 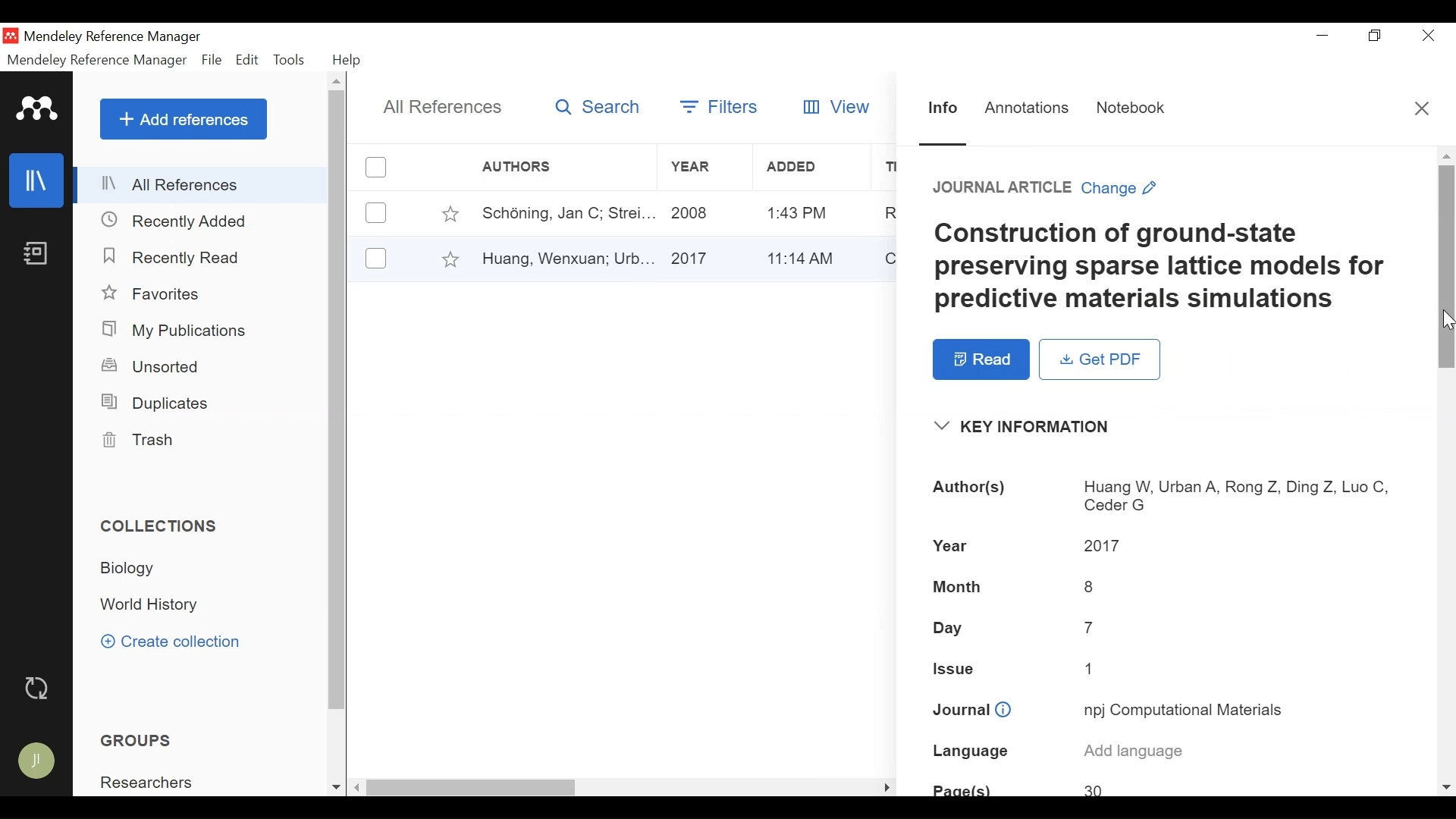 I want to click on Information, so click(x=944, y=109).